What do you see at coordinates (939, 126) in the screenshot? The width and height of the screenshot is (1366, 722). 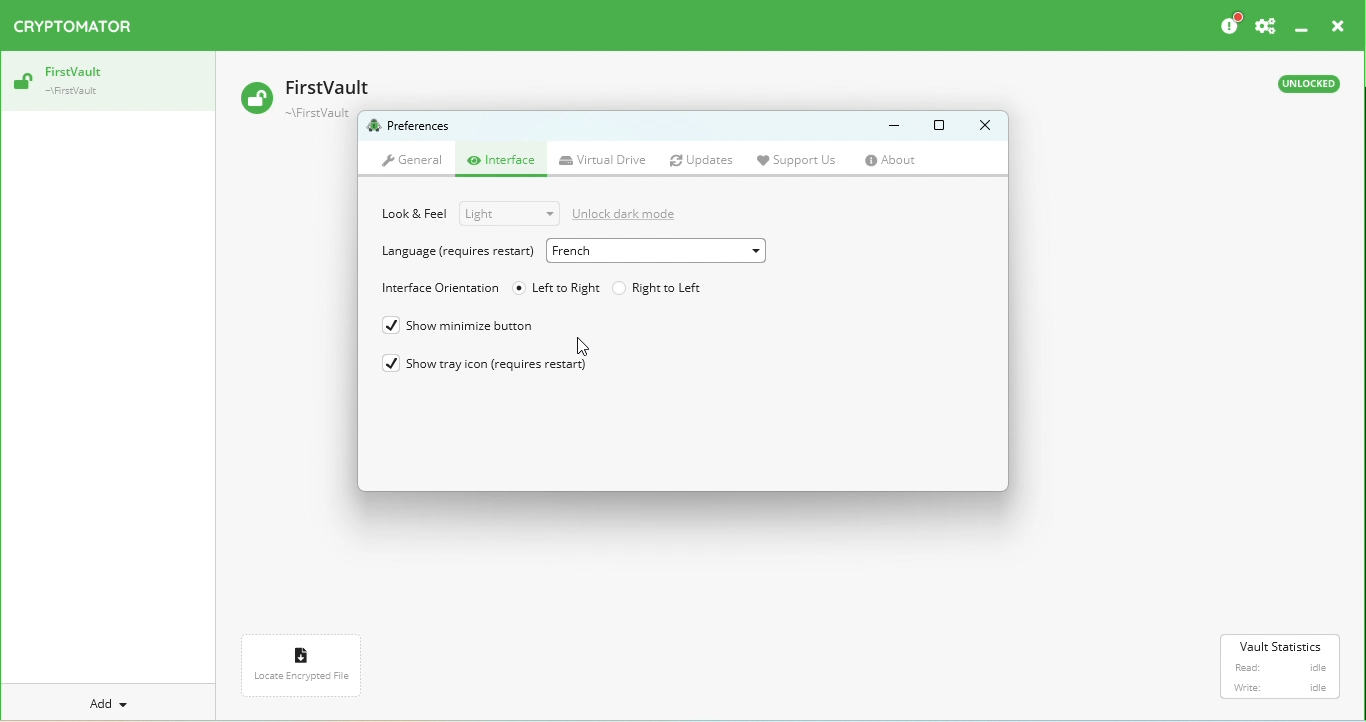 I see `Maximize` at bounding box center [939, 126].